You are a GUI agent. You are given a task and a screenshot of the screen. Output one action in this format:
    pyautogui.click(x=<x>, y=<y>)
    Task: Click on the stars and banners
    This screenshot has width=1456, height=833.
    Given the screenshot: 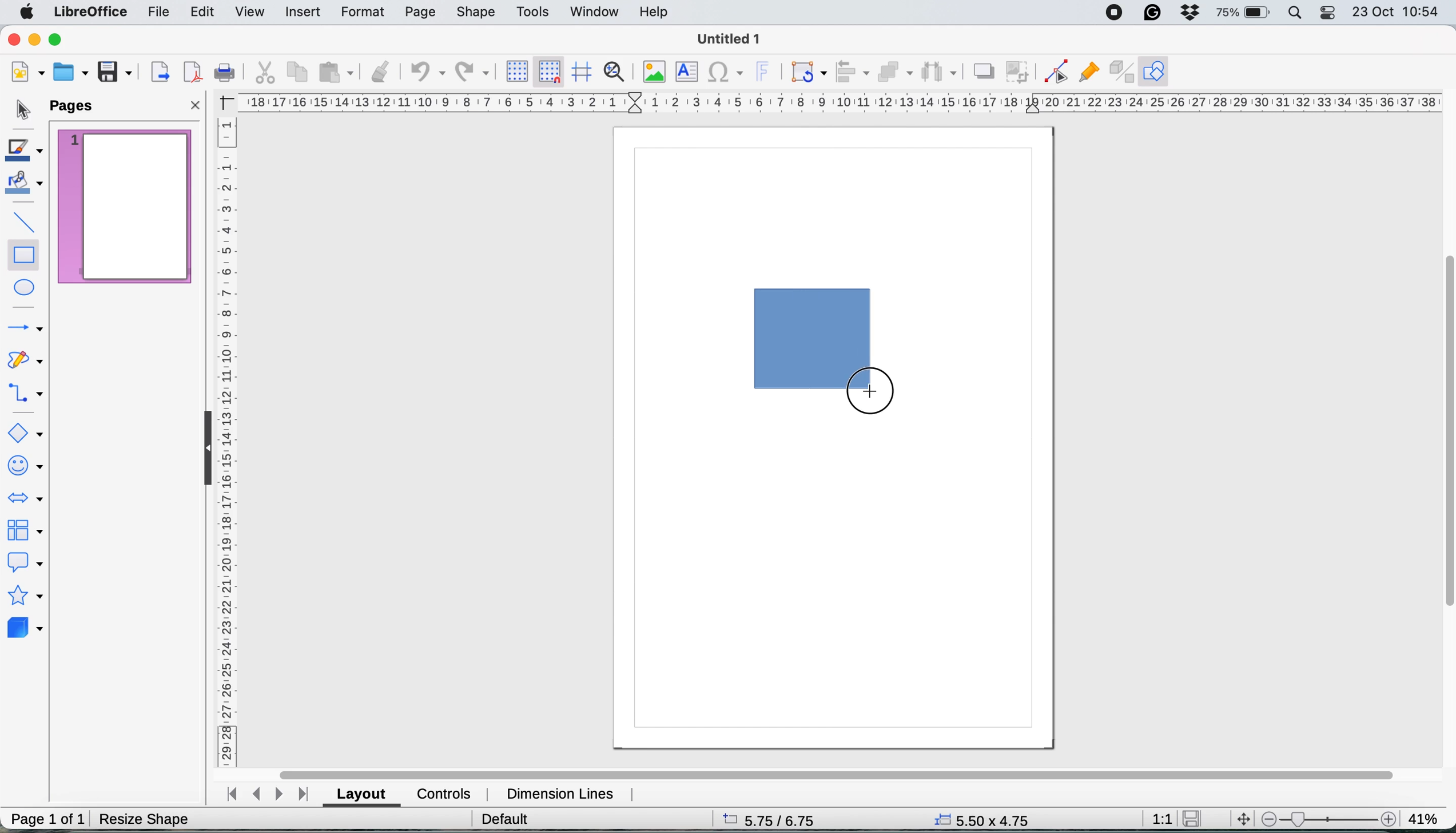 What is the action you would take?
    pyautogui.click(x=25, y=597)
    